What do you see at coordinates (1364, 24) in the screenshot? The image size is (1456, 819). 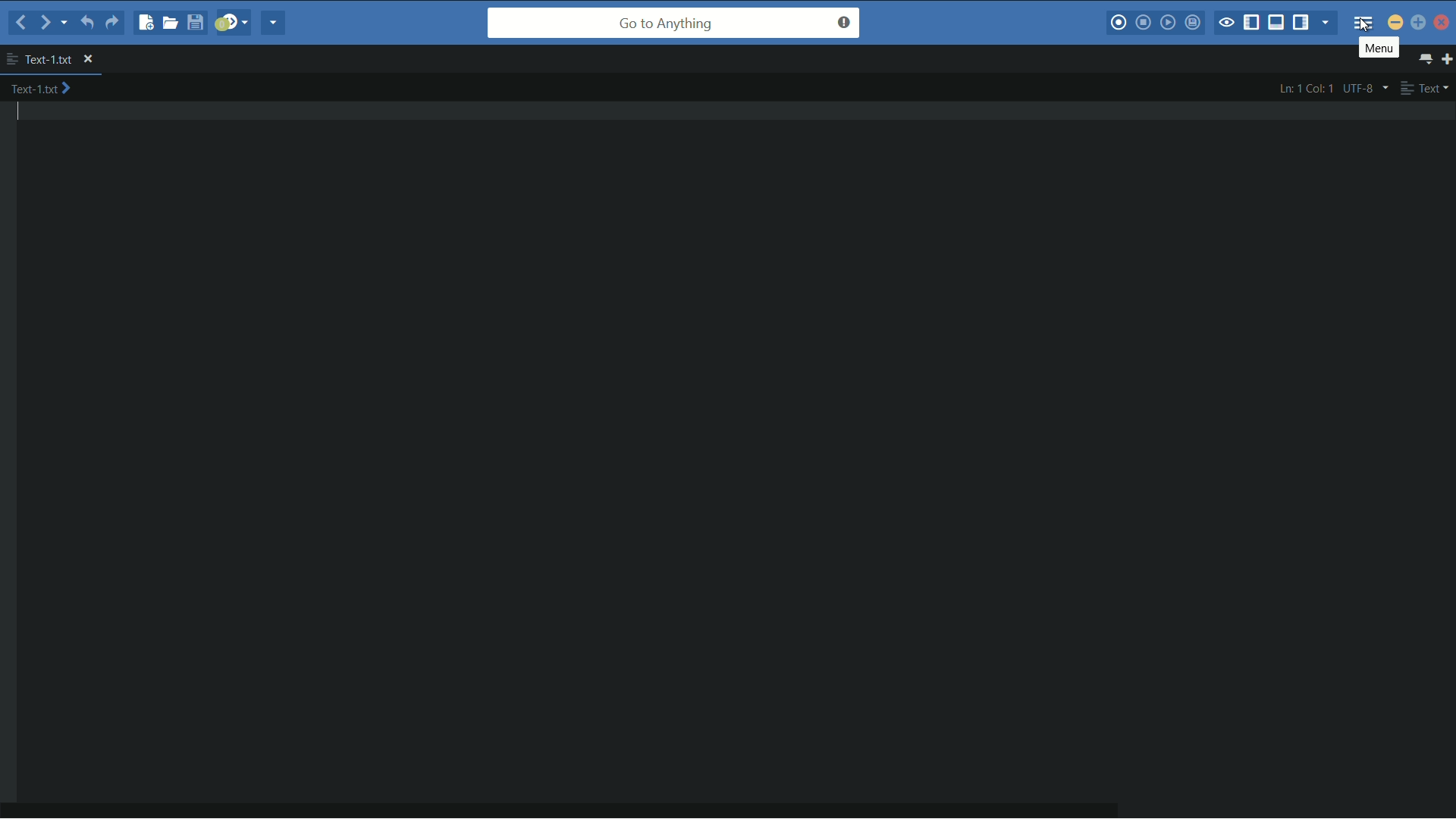 I see `menu` at bounding box center [1364, 24].